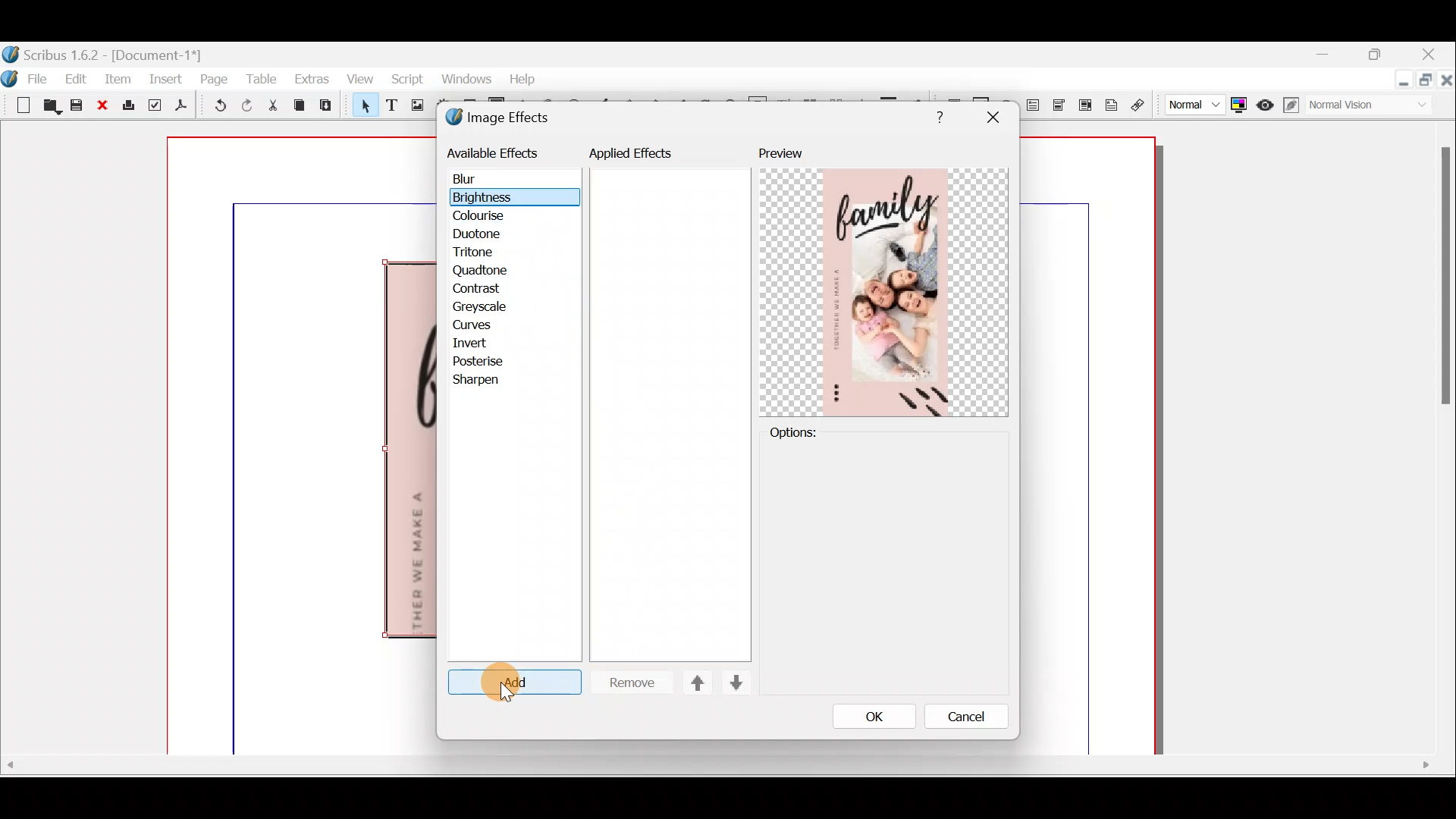  What do you see at coordinates (52, 107) in the screenshot?
I see `Open` at bounding box center [52, 107].